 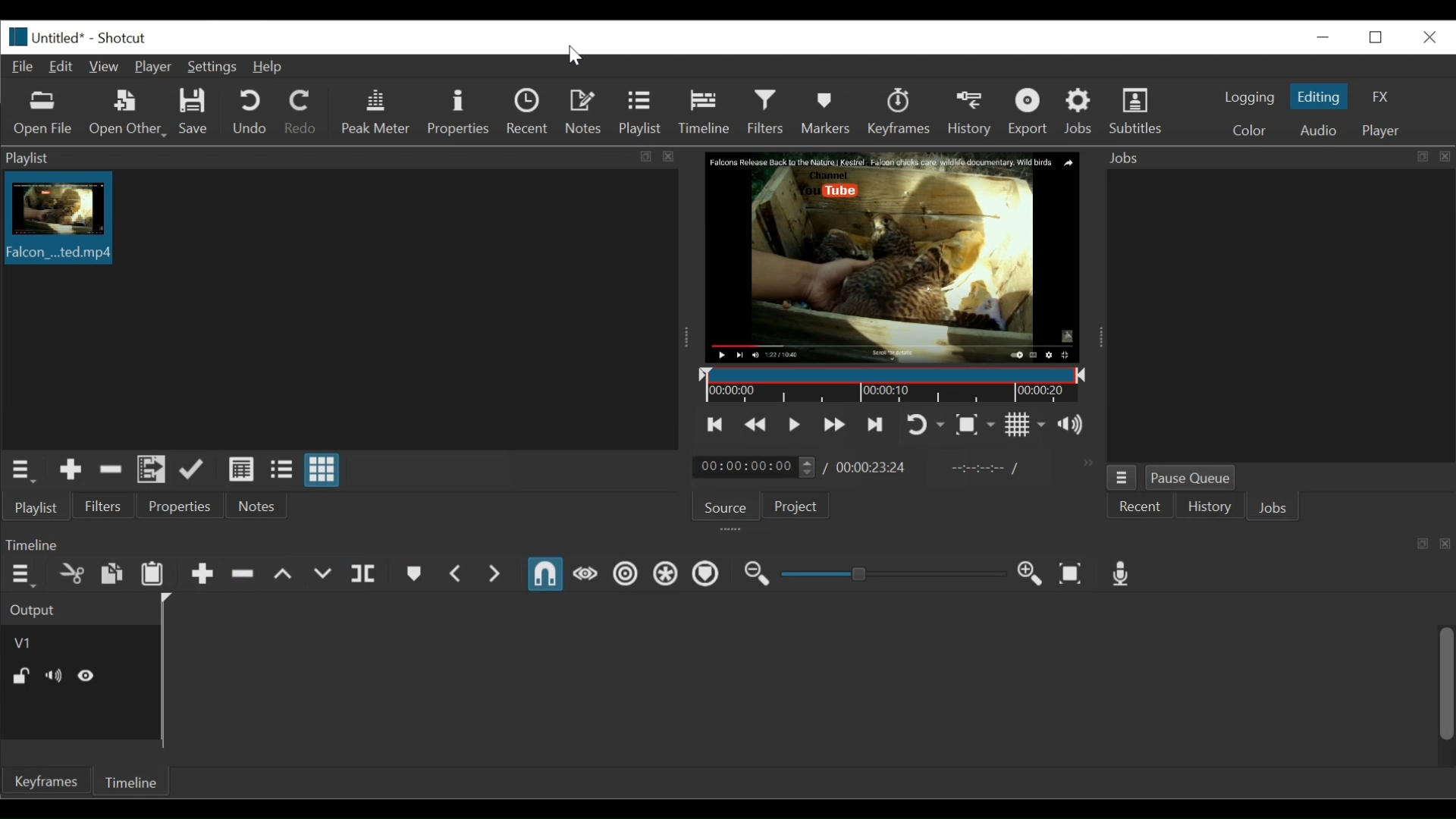 What do you see at coordinates (38, 508) in the screenshot?
I see `Playlist` at bounding box center [38, 508].